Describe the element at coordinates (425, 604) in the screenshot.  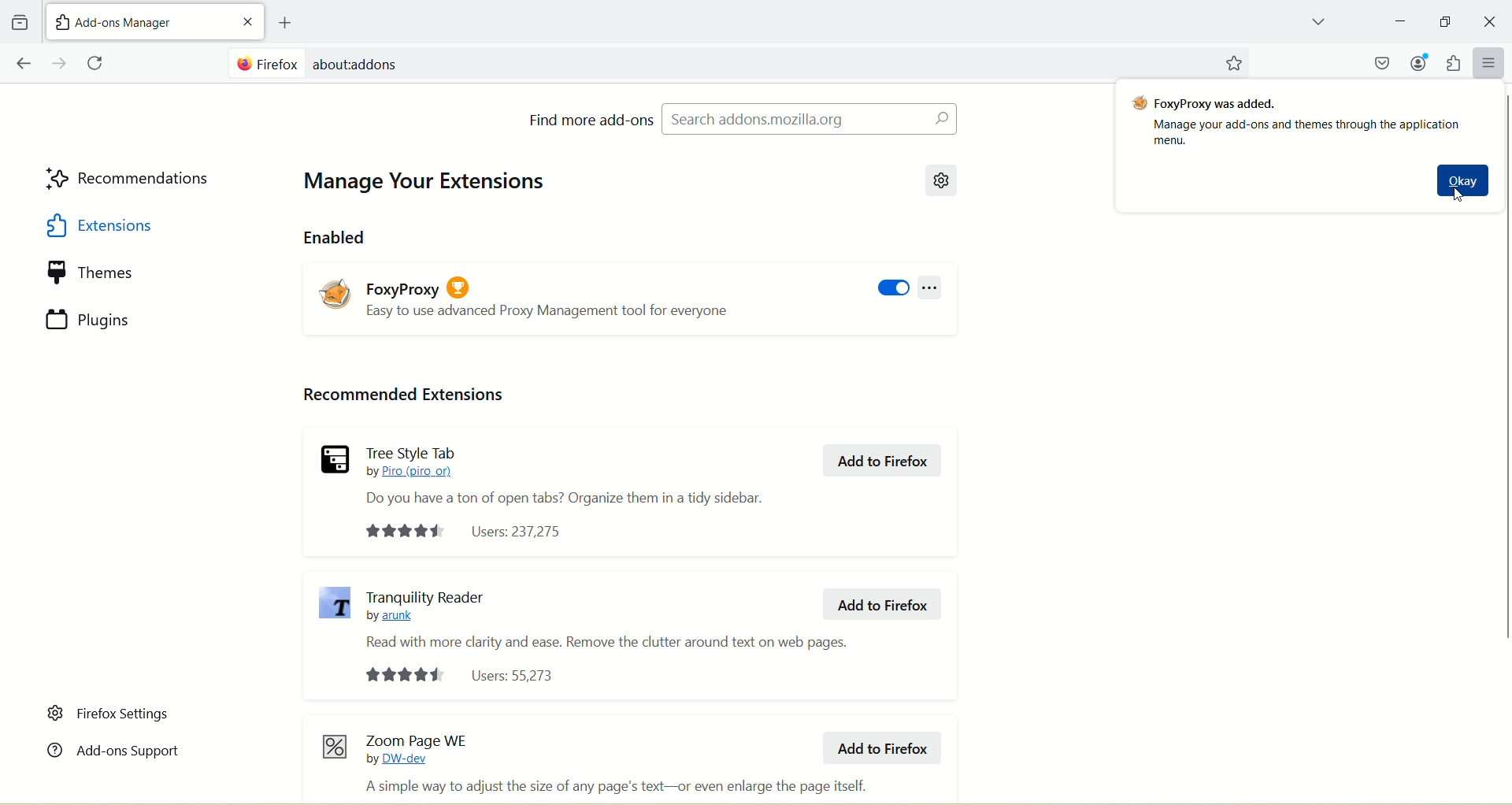
I see `oT Tranquility Reader
by arunk` at that location.